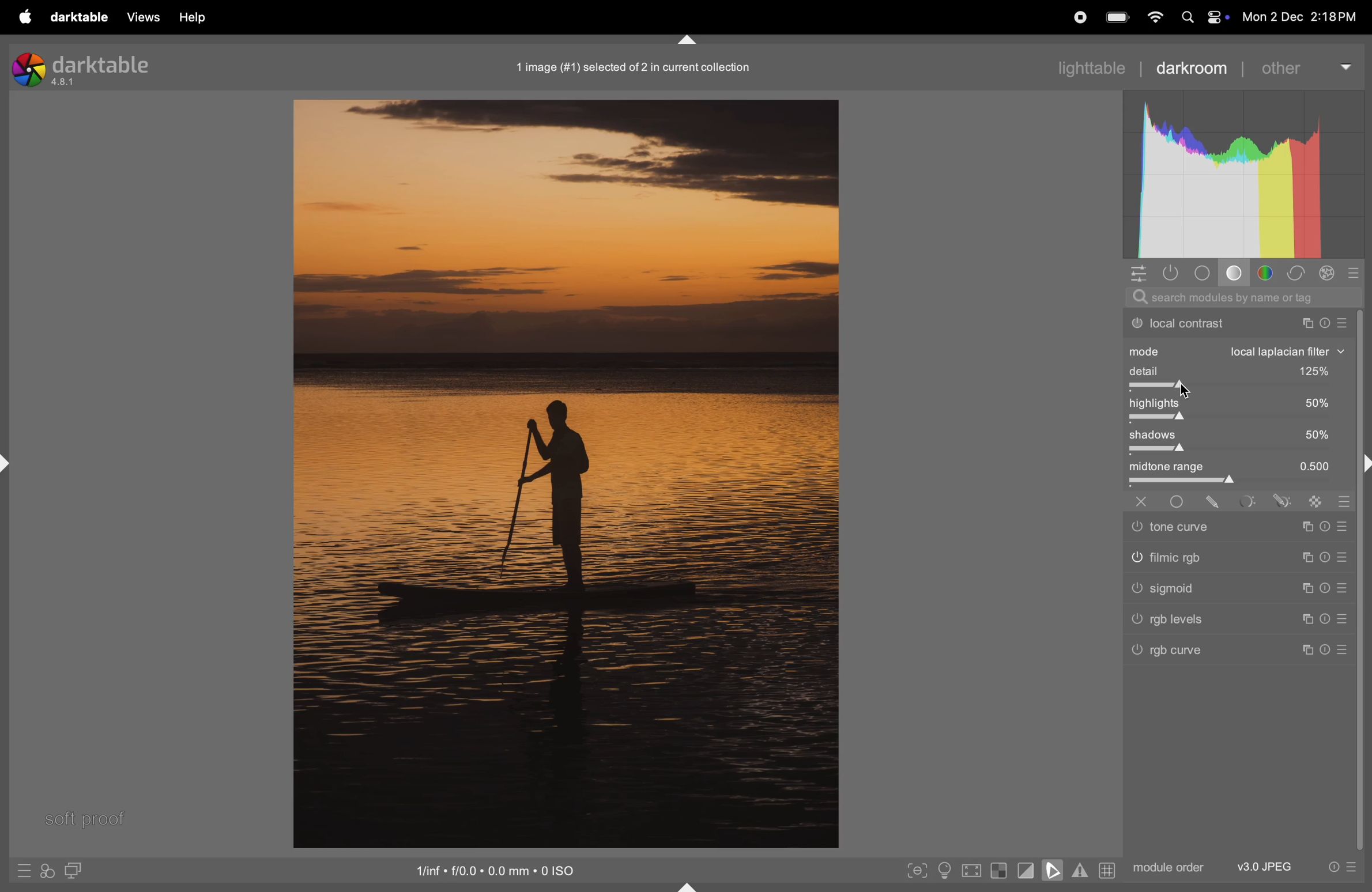 This screenshot has height=892, width=1372. I want to click on record, so click(1083, 18).